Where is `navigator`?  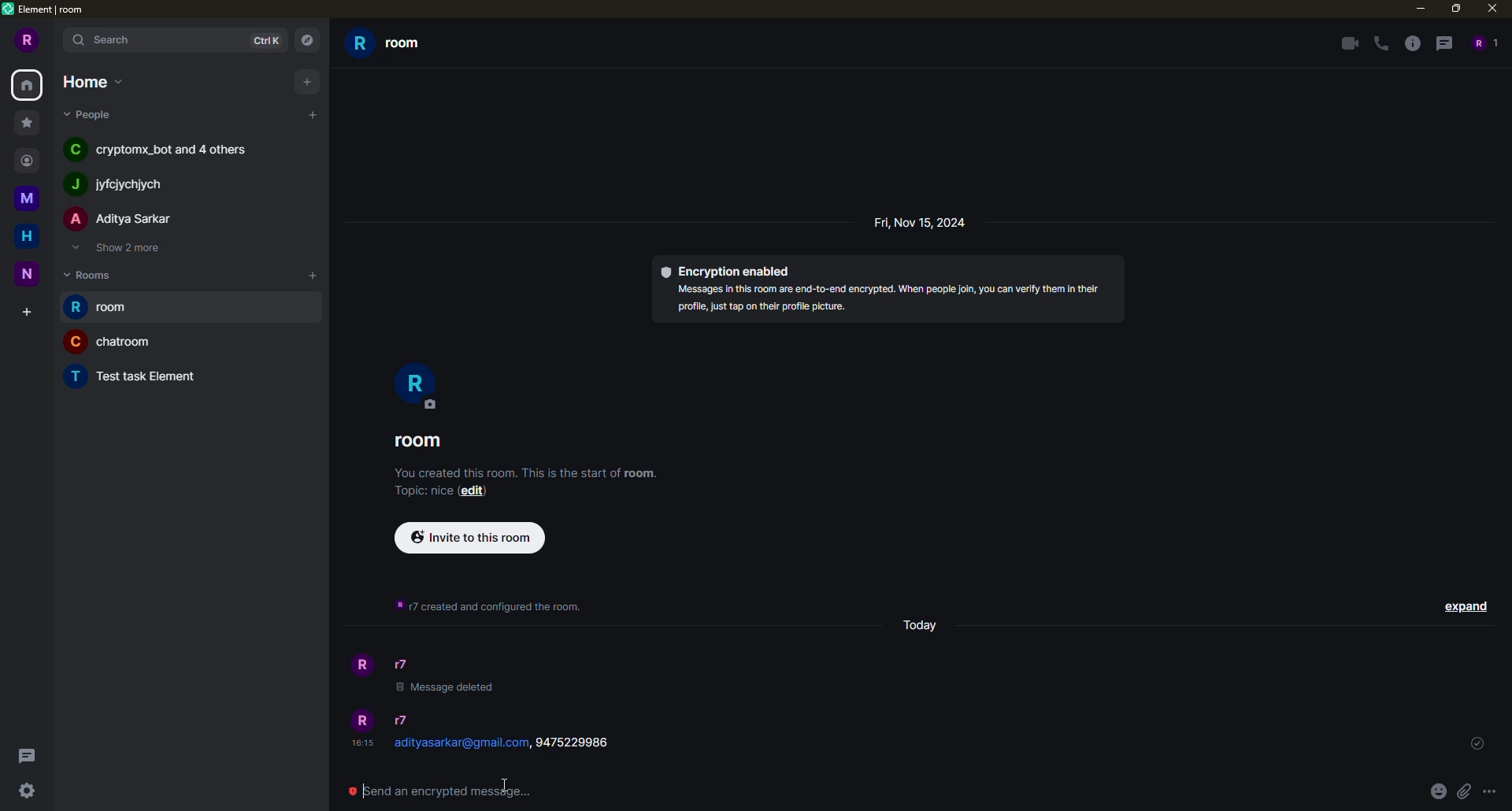
navigator is located at coordinates (306, 40).